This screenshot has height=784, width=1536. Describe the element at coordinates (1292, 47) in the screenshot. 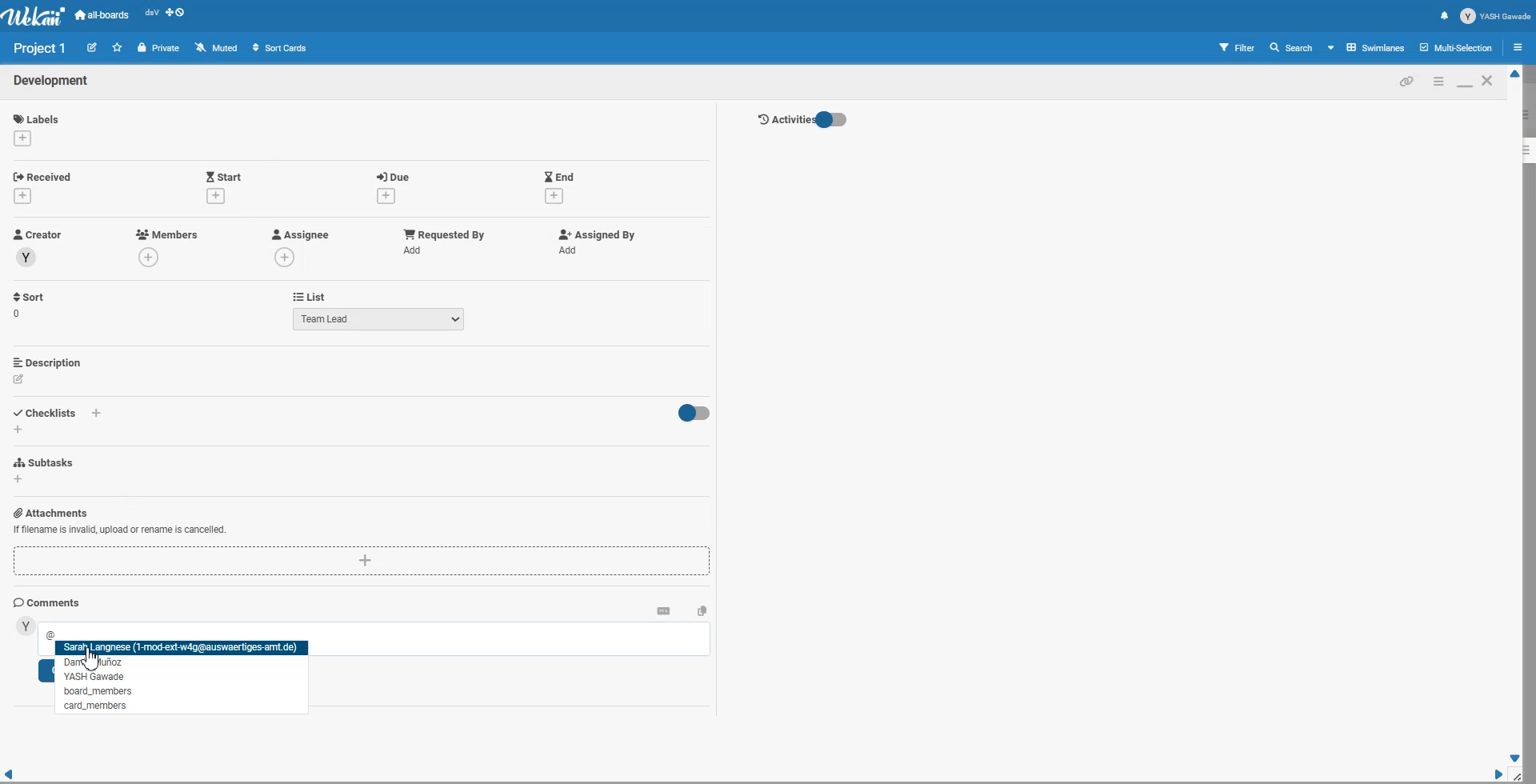

I see `Search` at that location.